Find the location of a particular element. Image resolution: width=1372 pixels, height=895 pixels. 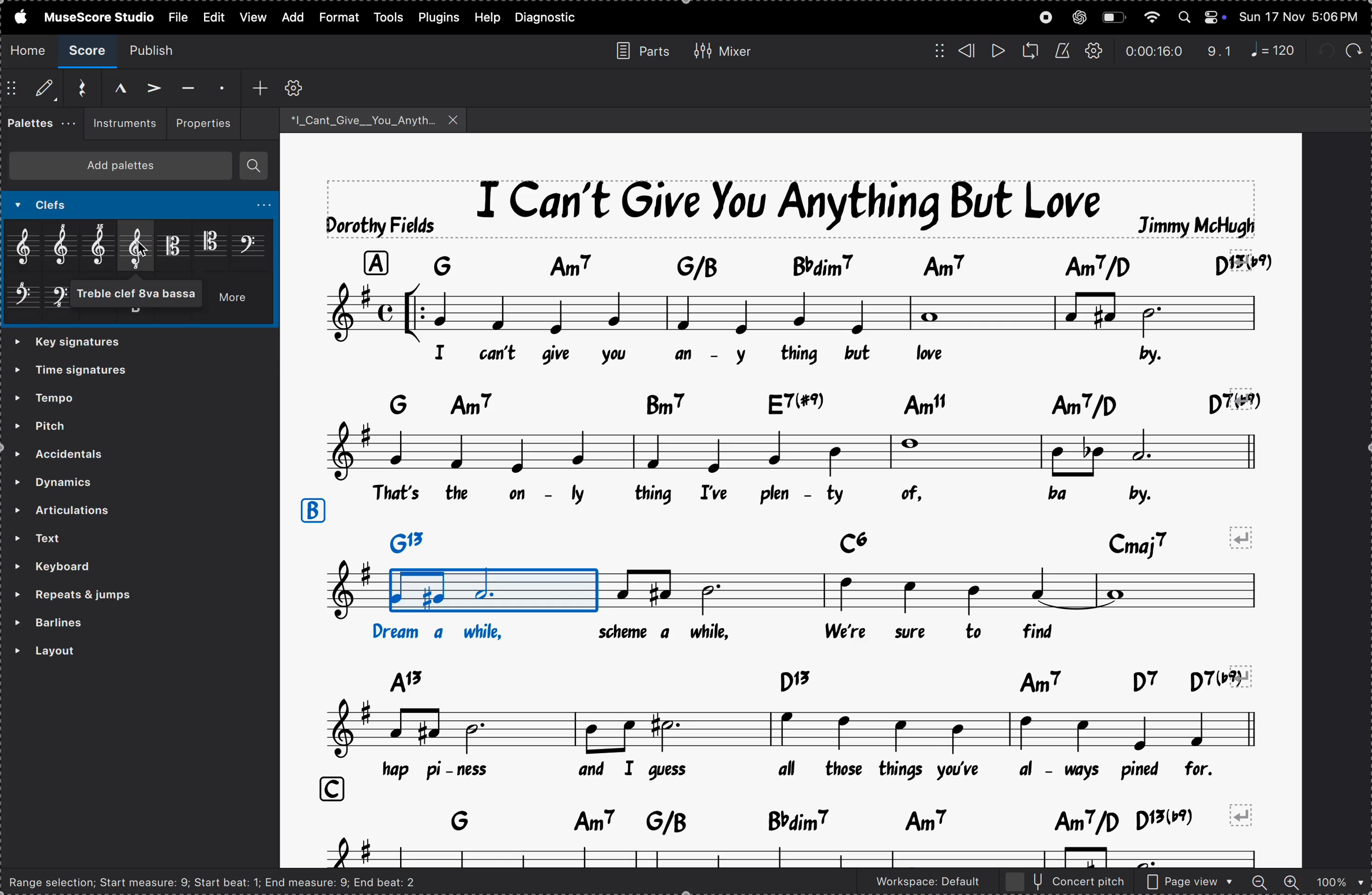

keyboard is located at coordinates (87, 567).